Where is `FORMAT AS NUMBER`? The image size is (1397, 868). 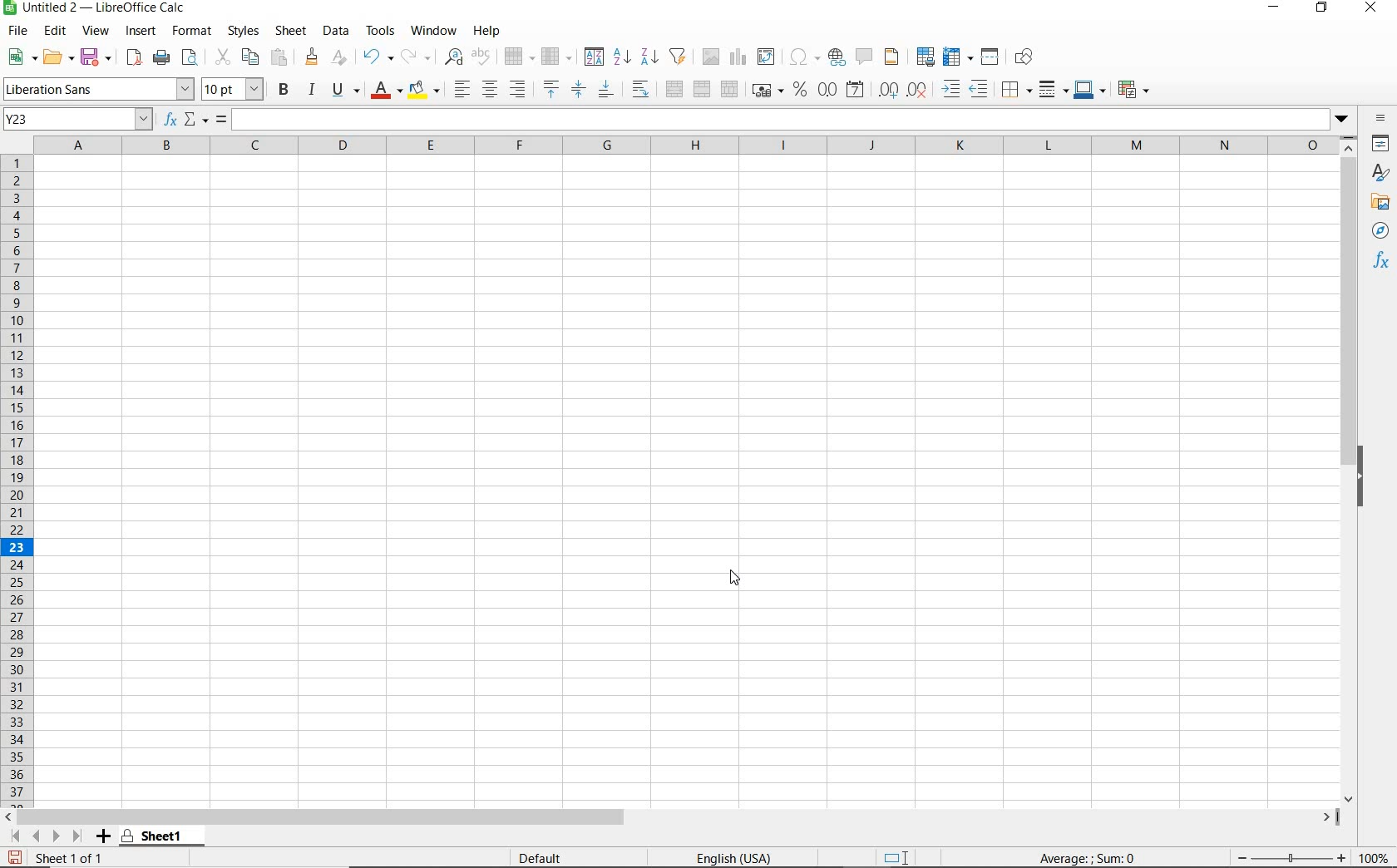
FORMAT AS NUMBER is located at coordinates (828, 89).